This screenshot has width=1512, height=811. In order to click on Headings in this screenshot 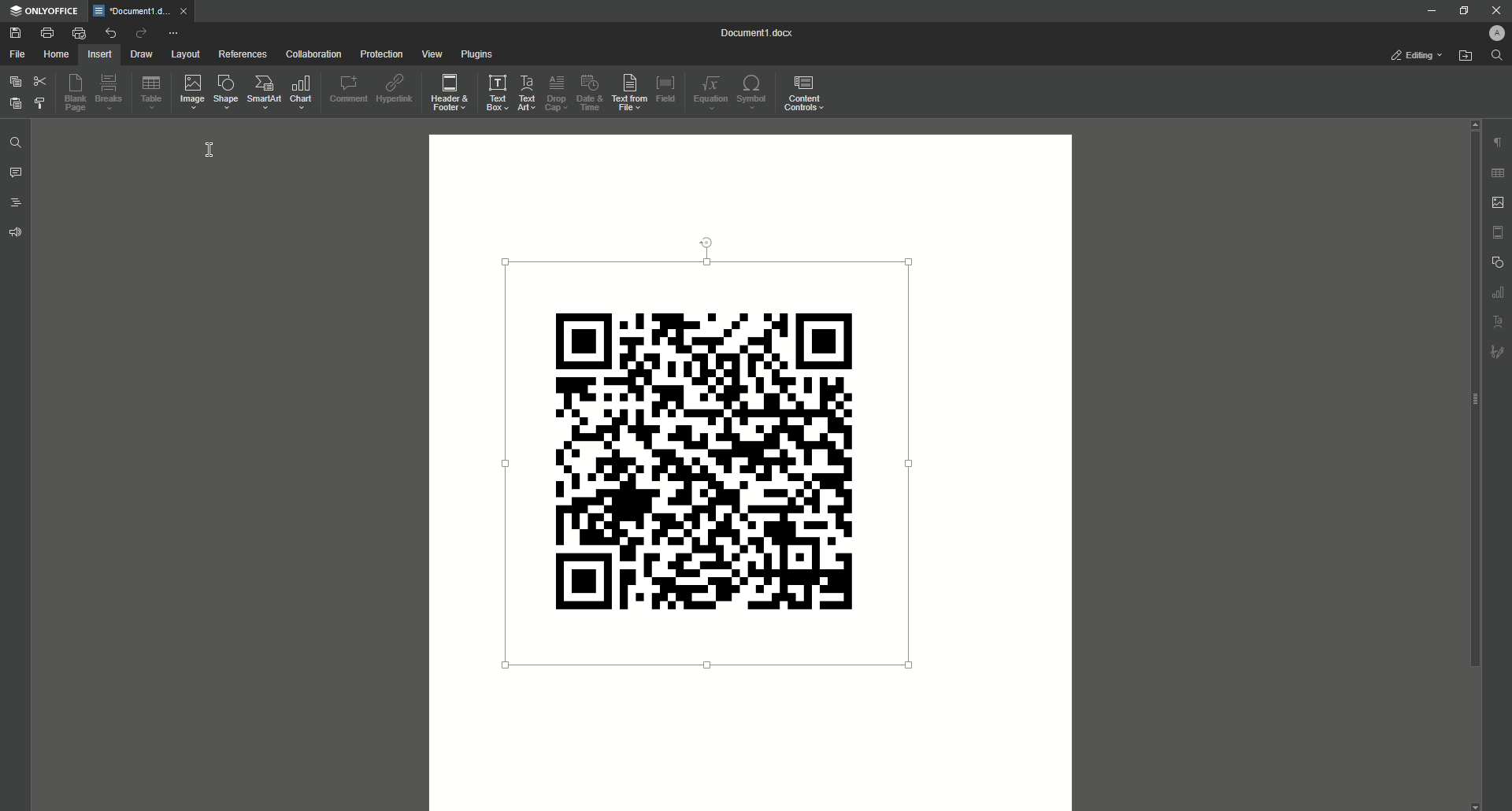, I will do `click(16, 202)`.